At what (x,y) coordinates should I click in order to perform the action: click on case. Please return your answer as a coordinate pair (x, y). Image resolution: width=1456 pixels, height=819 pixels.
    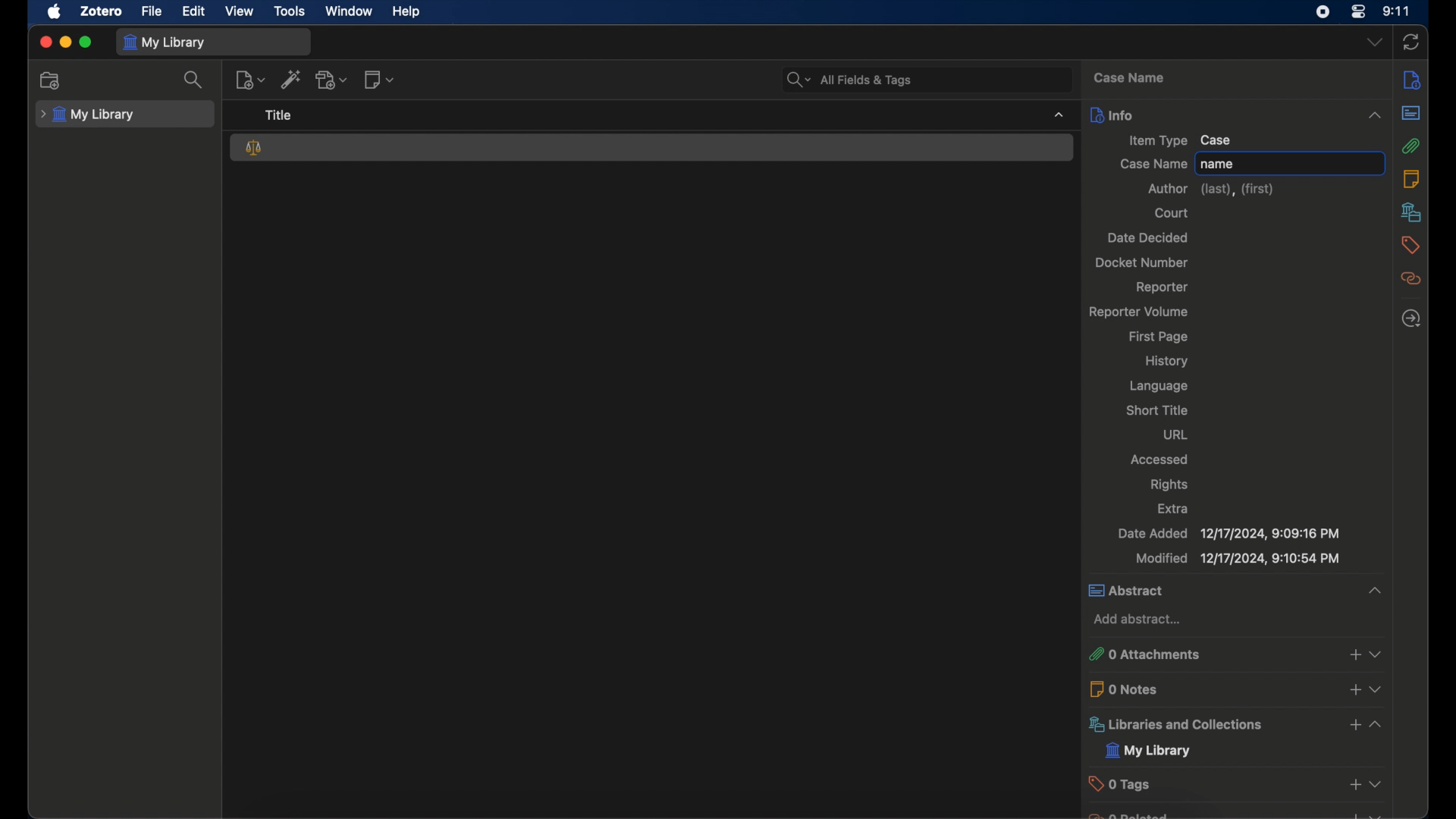
    Looking at the image, I should click on (255, 147).